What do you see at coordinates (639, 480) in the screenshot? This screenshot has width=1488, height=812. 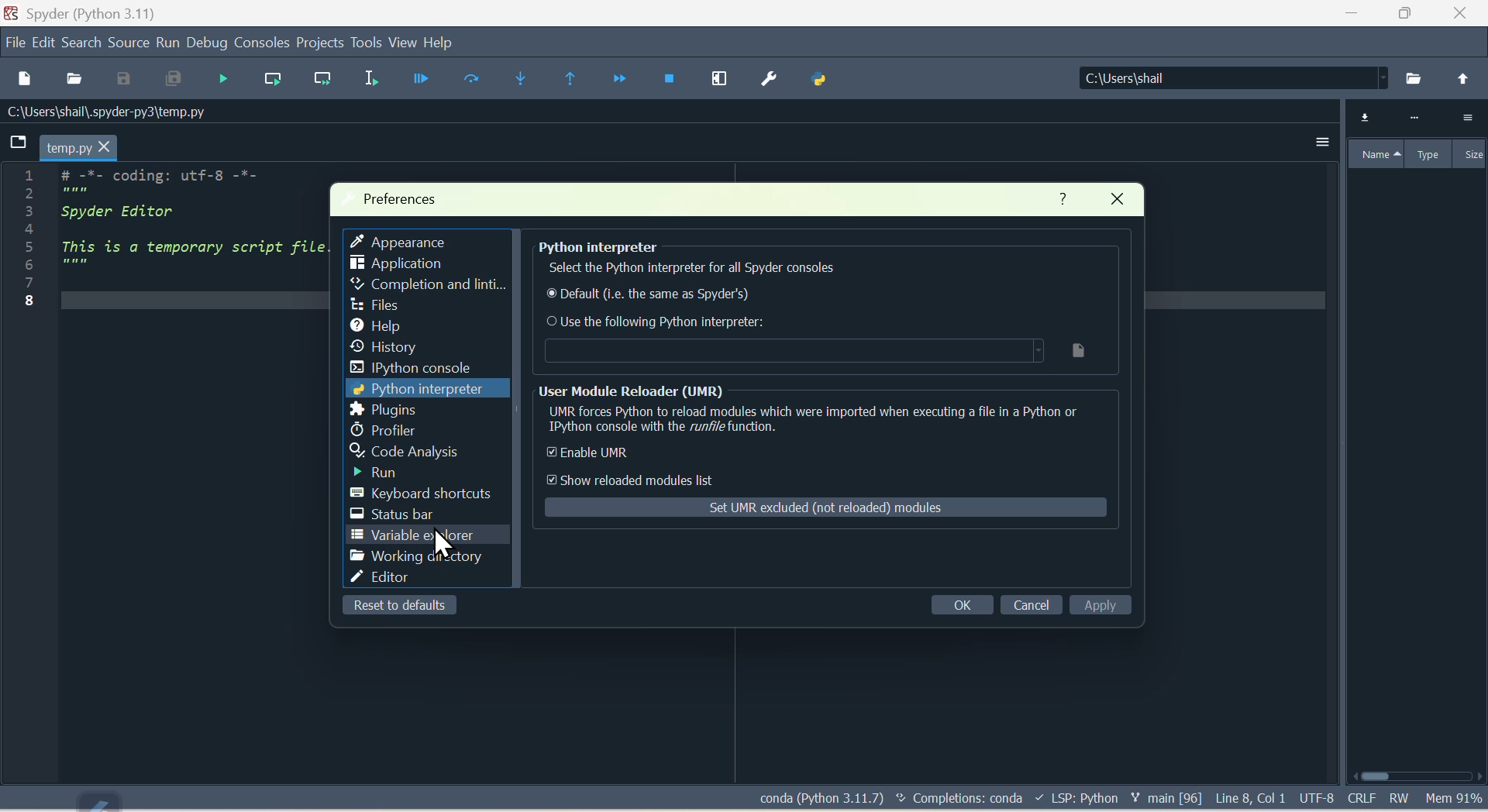 I see `Show reloaded modules list` at bounding box center [639, 480].